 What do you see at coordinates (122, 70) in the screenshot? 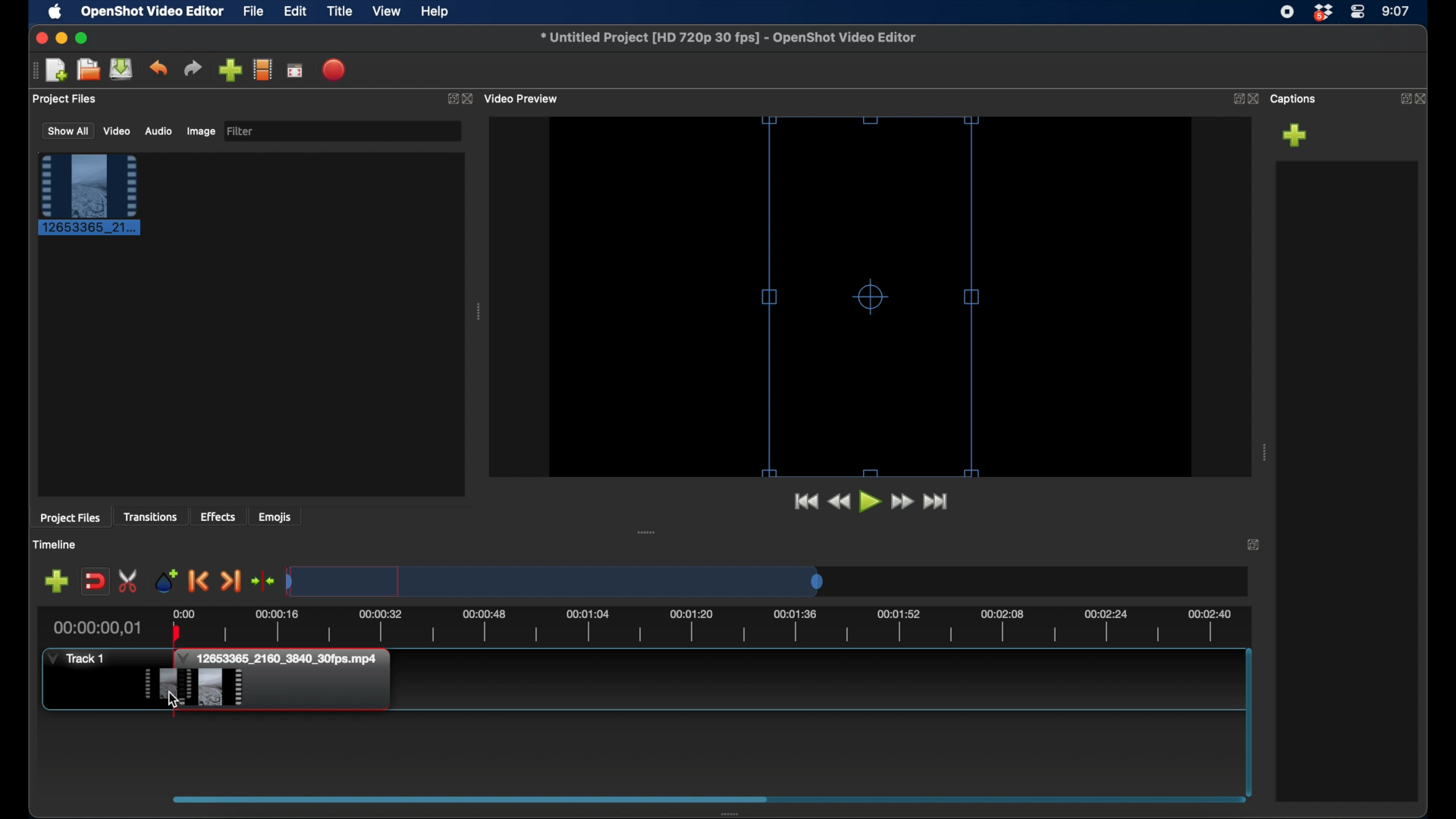
I see `save project` at bounding box center [122, 70].